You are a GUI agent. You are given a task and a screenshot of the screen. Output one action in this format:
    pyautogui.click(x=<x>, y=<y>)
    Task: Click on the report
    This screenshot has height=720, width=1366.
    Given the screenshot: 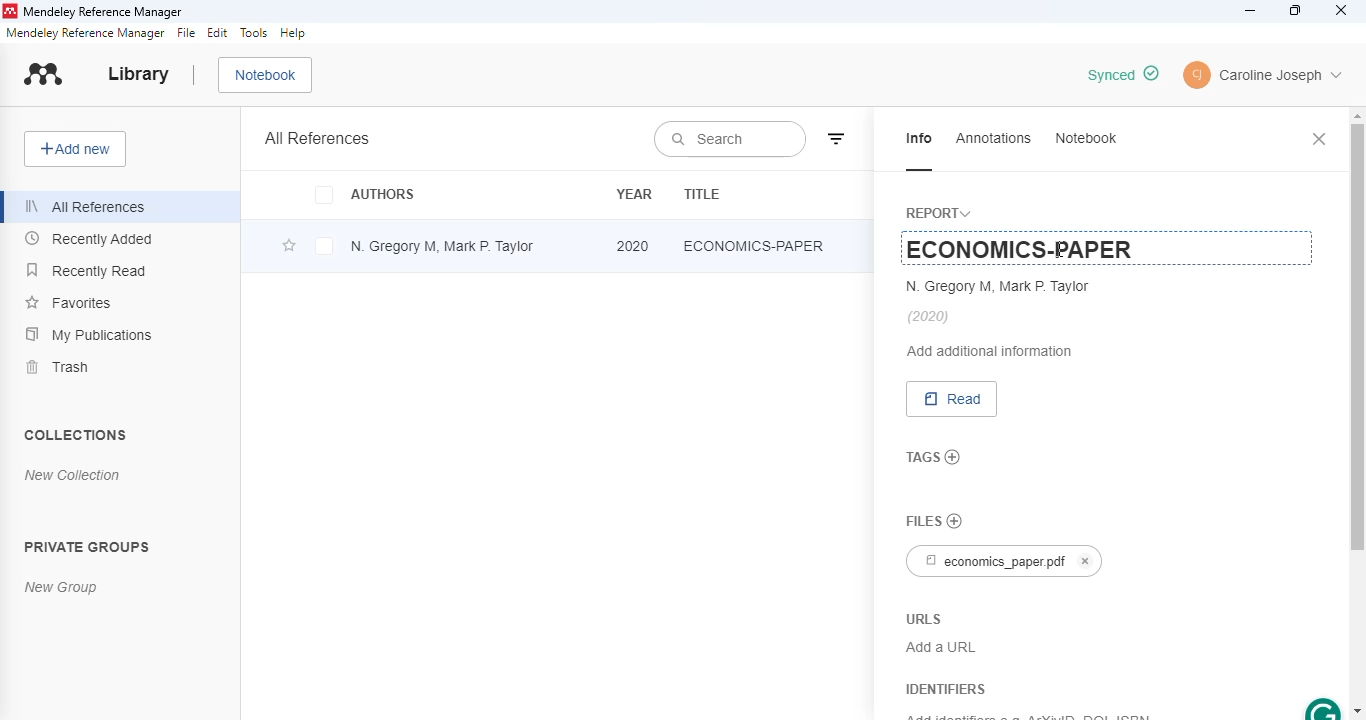 What is the action you would take?
    pyautogui.click(x=942, y=212)
    